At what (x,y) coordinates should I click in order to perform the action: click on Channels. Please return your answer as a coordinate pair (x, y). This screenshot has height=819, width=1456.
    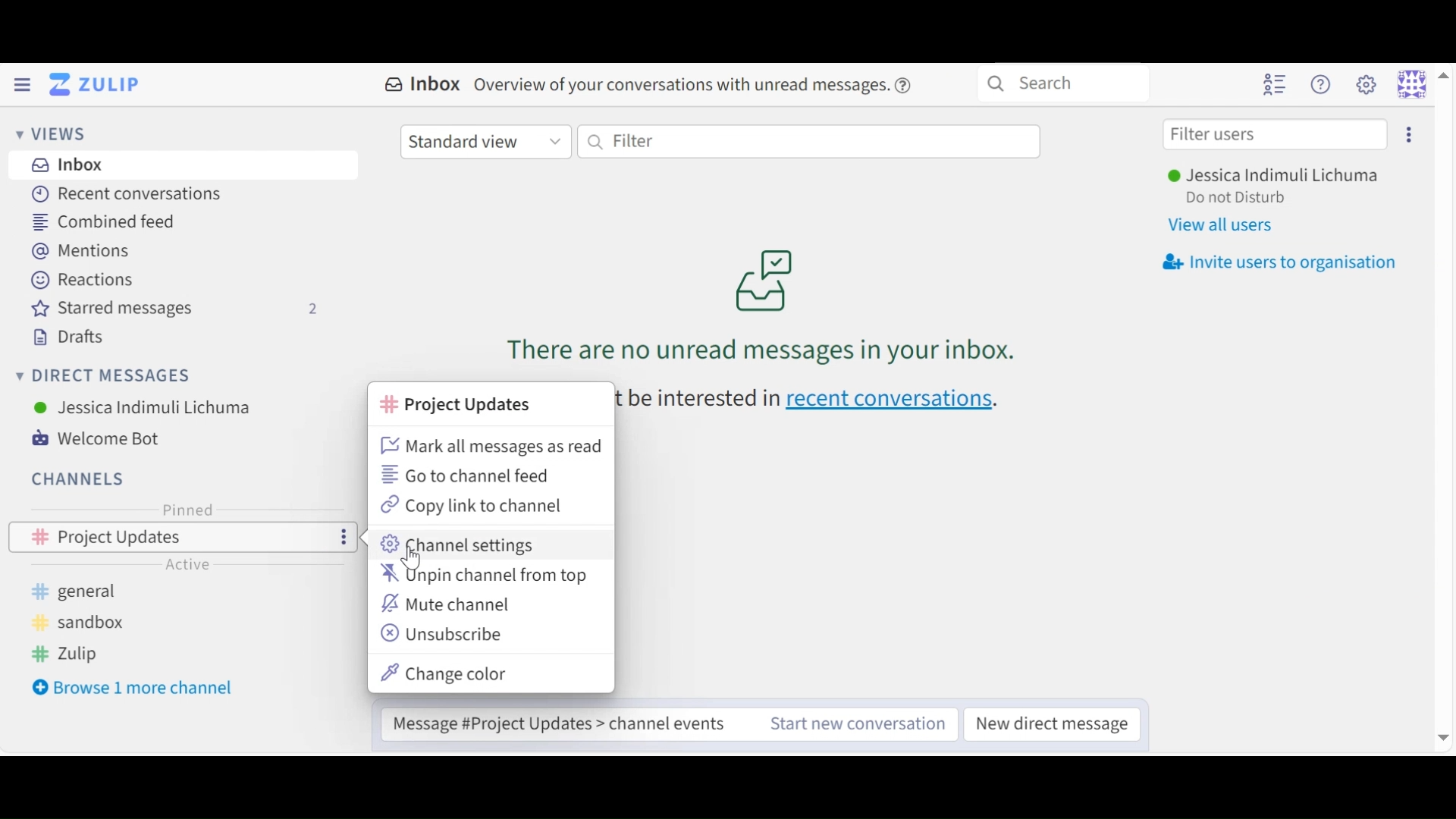
    Looking at the image, I should click on (80, 479).